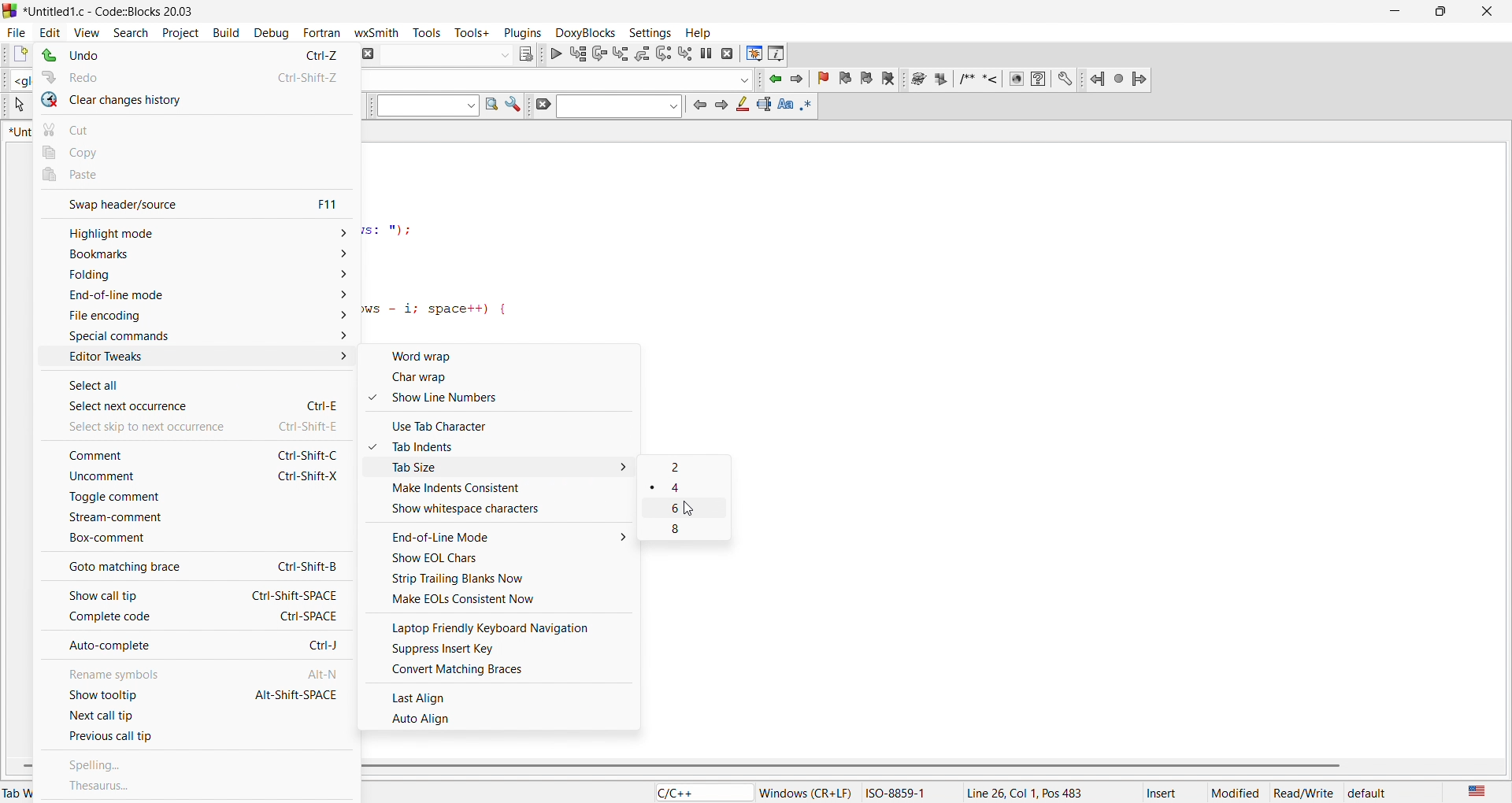 The width and height of the screenshot is (1512, 803). I want to click on icon, so click(697, 105).